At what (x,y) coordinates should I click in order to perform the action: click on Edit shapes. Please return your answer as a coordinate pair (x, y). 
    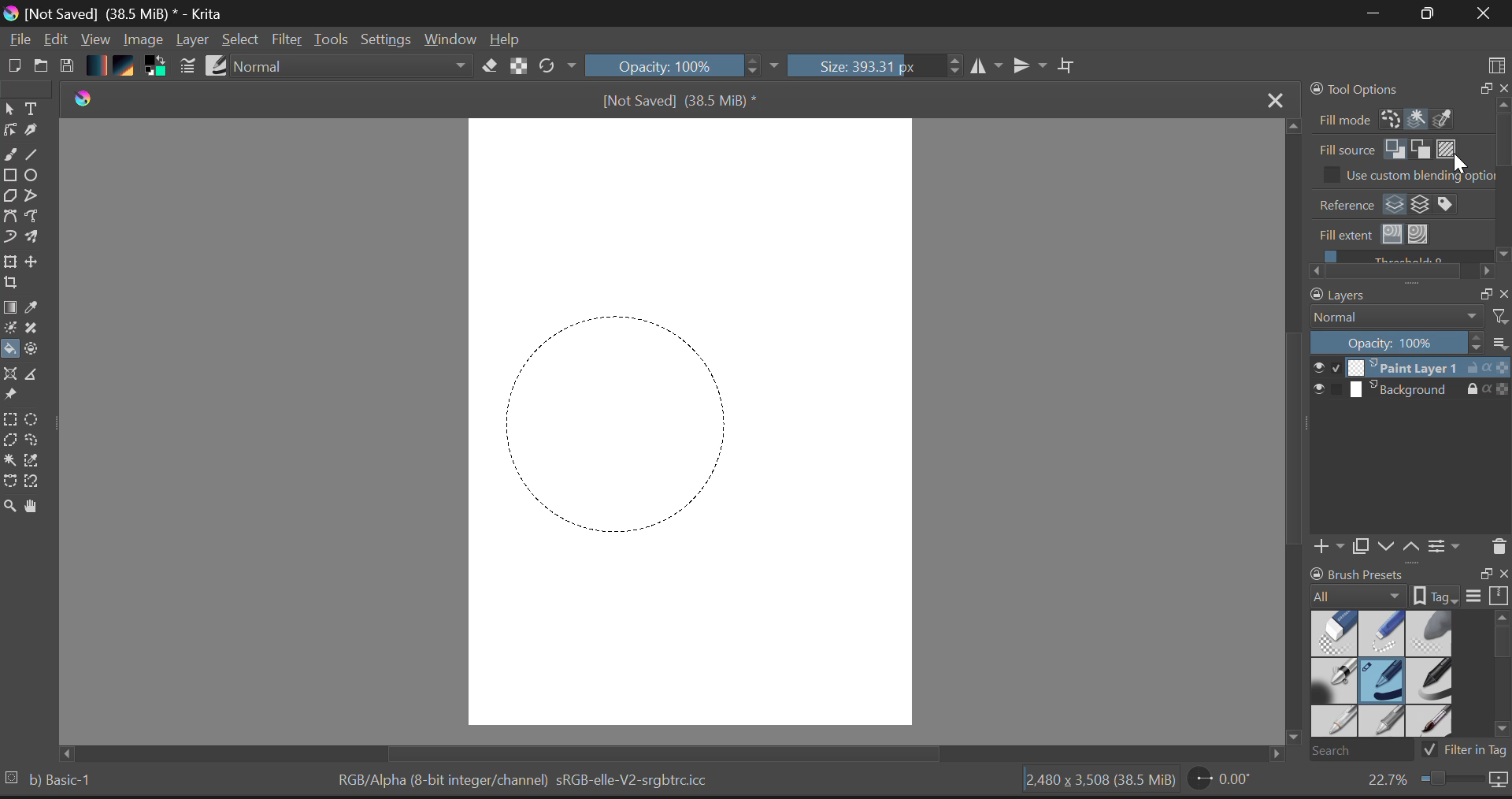
    Looking at the image, I should click on (9, 132).